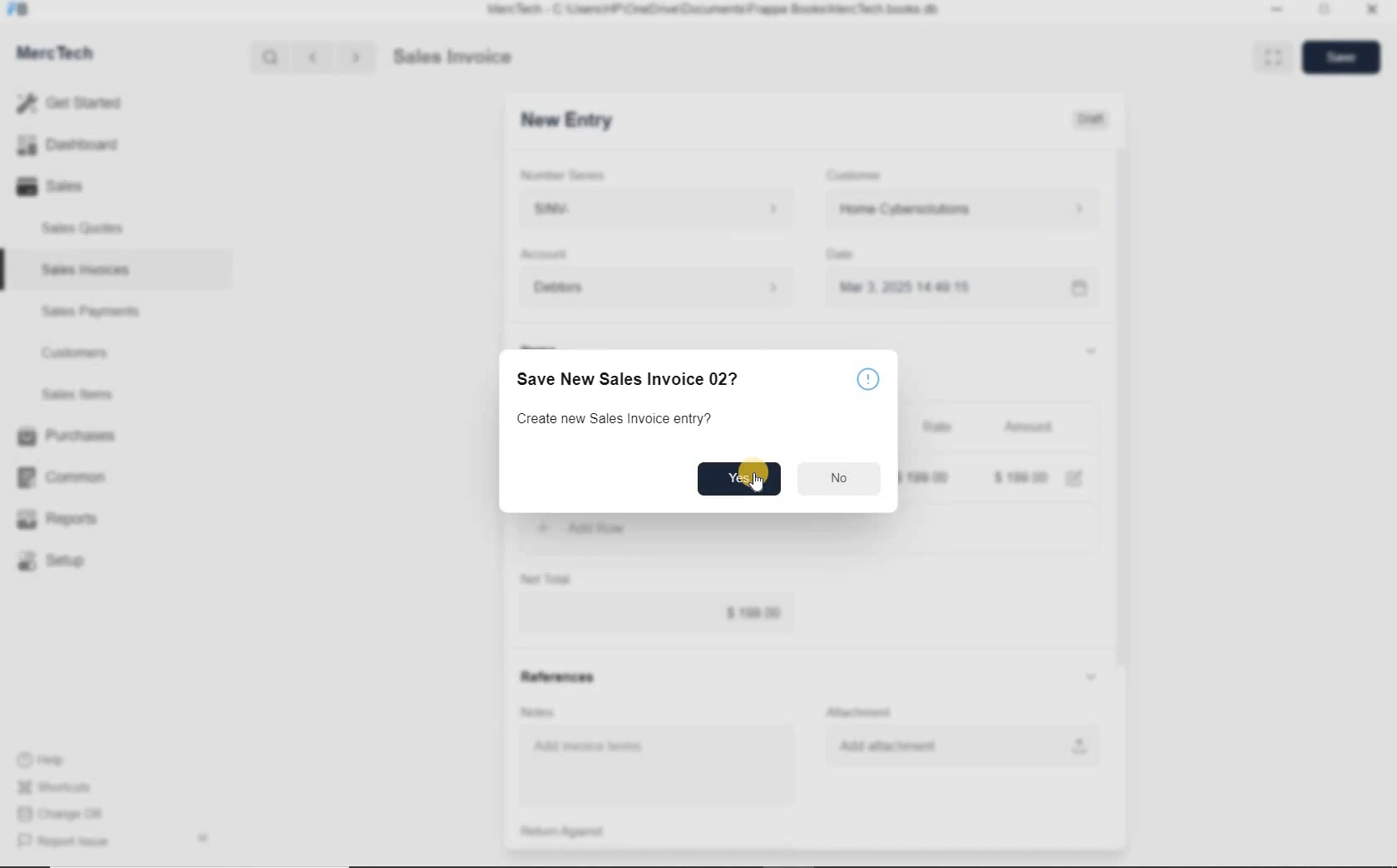  What do you see at coordinates (636, 528) in the screenshot?
I see `create` at bounding box center [636, 528].